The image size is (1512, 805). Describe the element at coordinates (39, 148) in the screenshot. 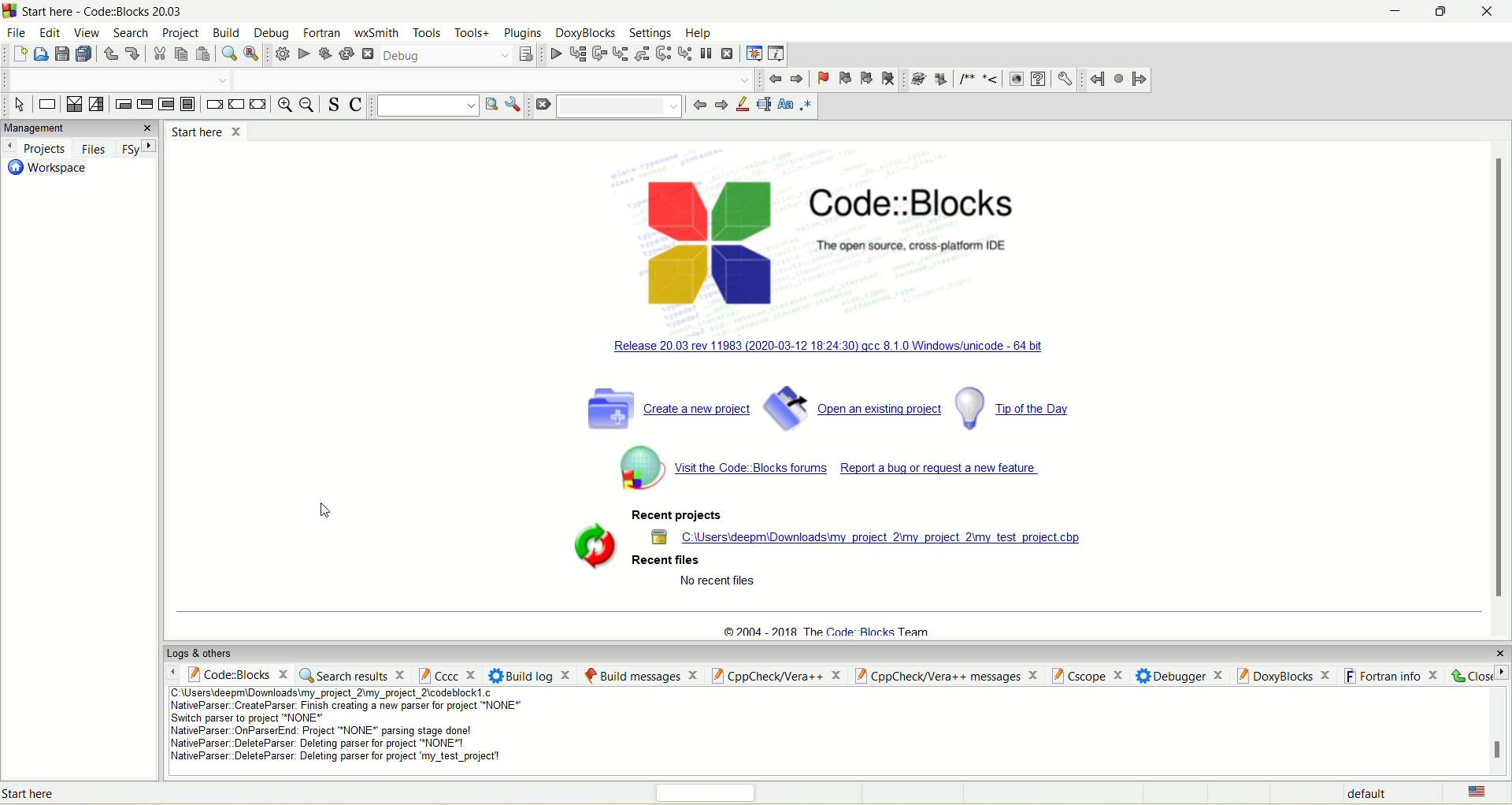

I see `projects` at that location.